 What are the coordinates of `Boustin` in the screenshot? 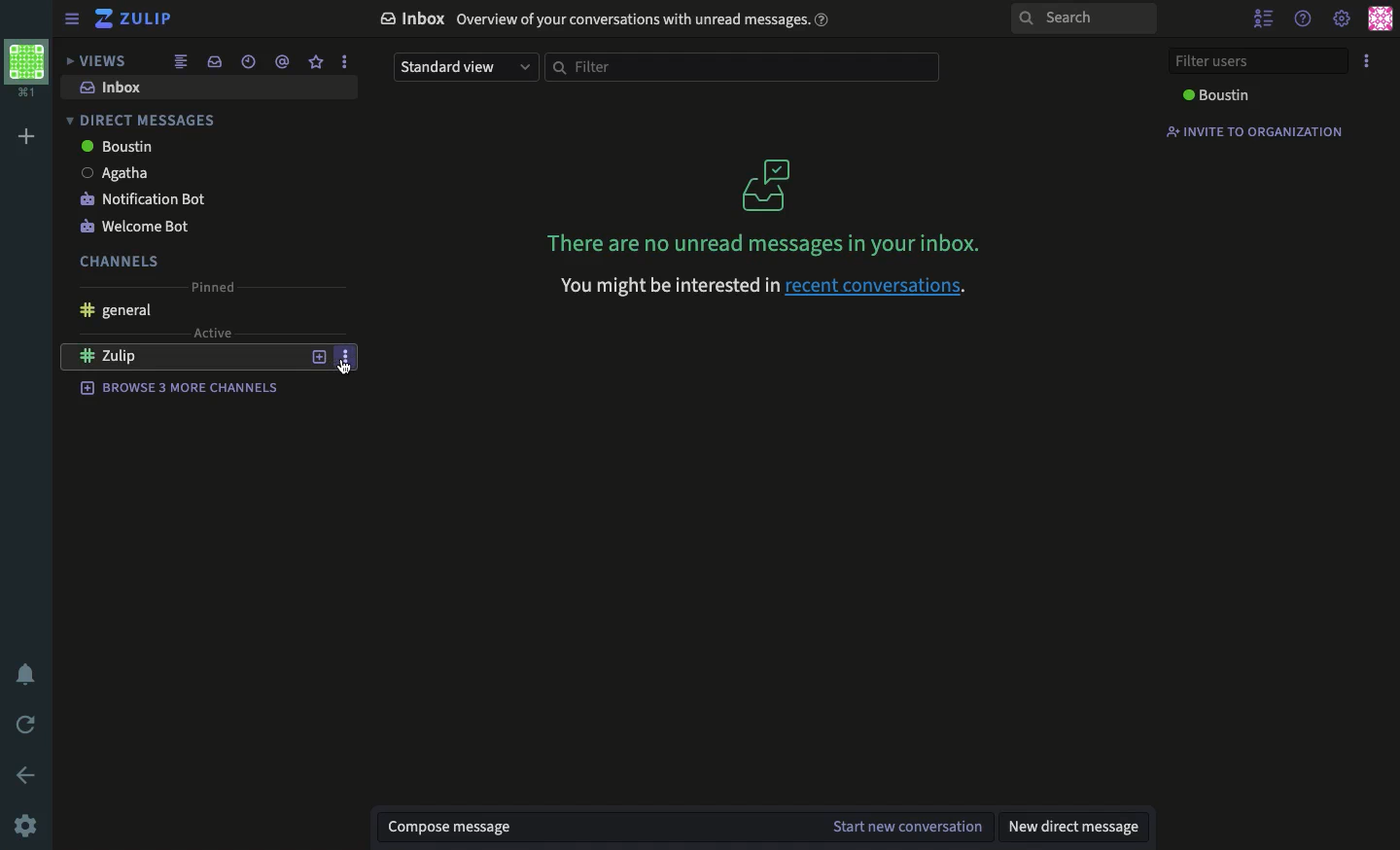 It's located at (118, 147).